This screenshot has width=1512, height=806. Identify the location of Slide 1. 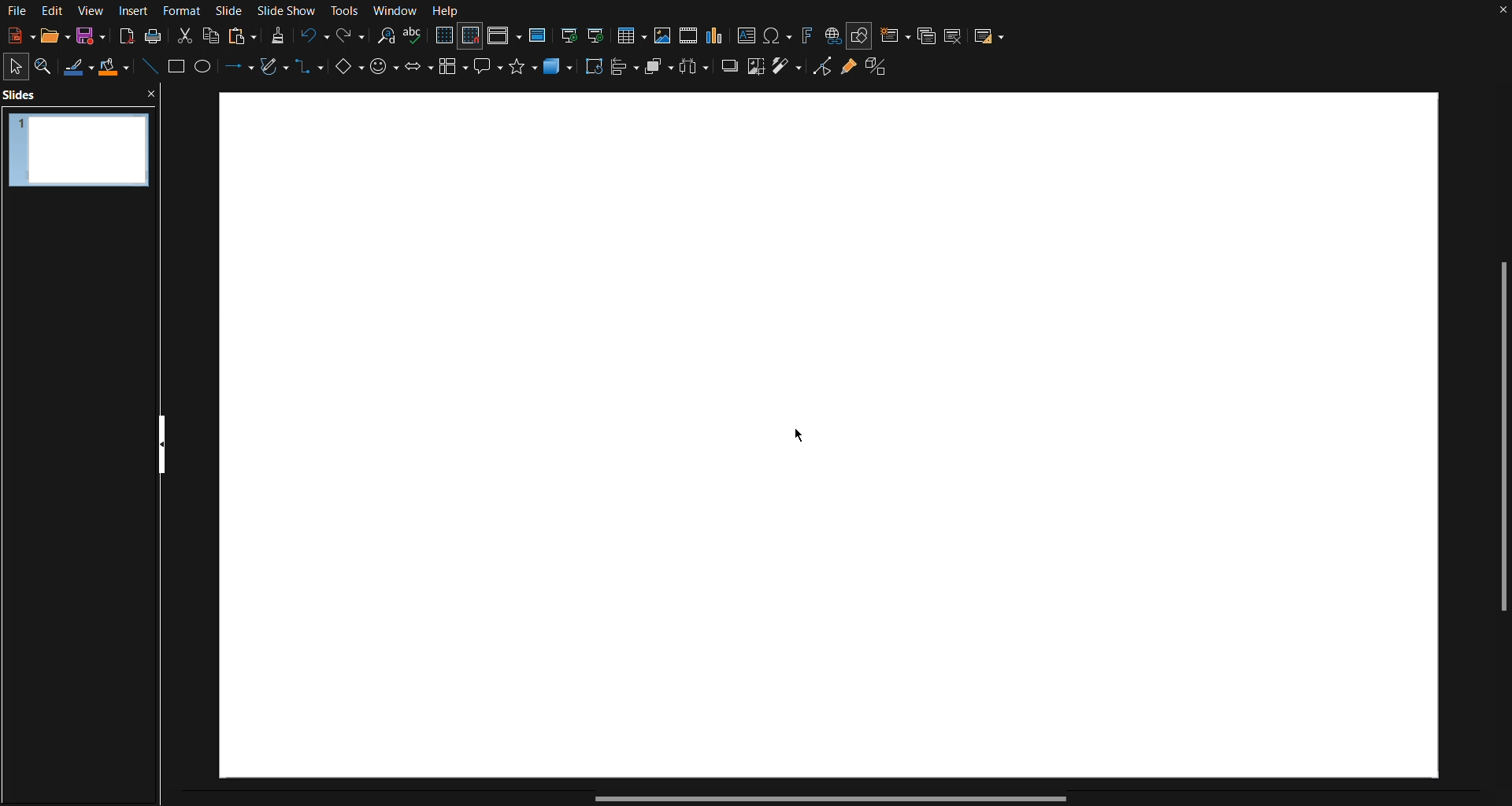
(76, 147).